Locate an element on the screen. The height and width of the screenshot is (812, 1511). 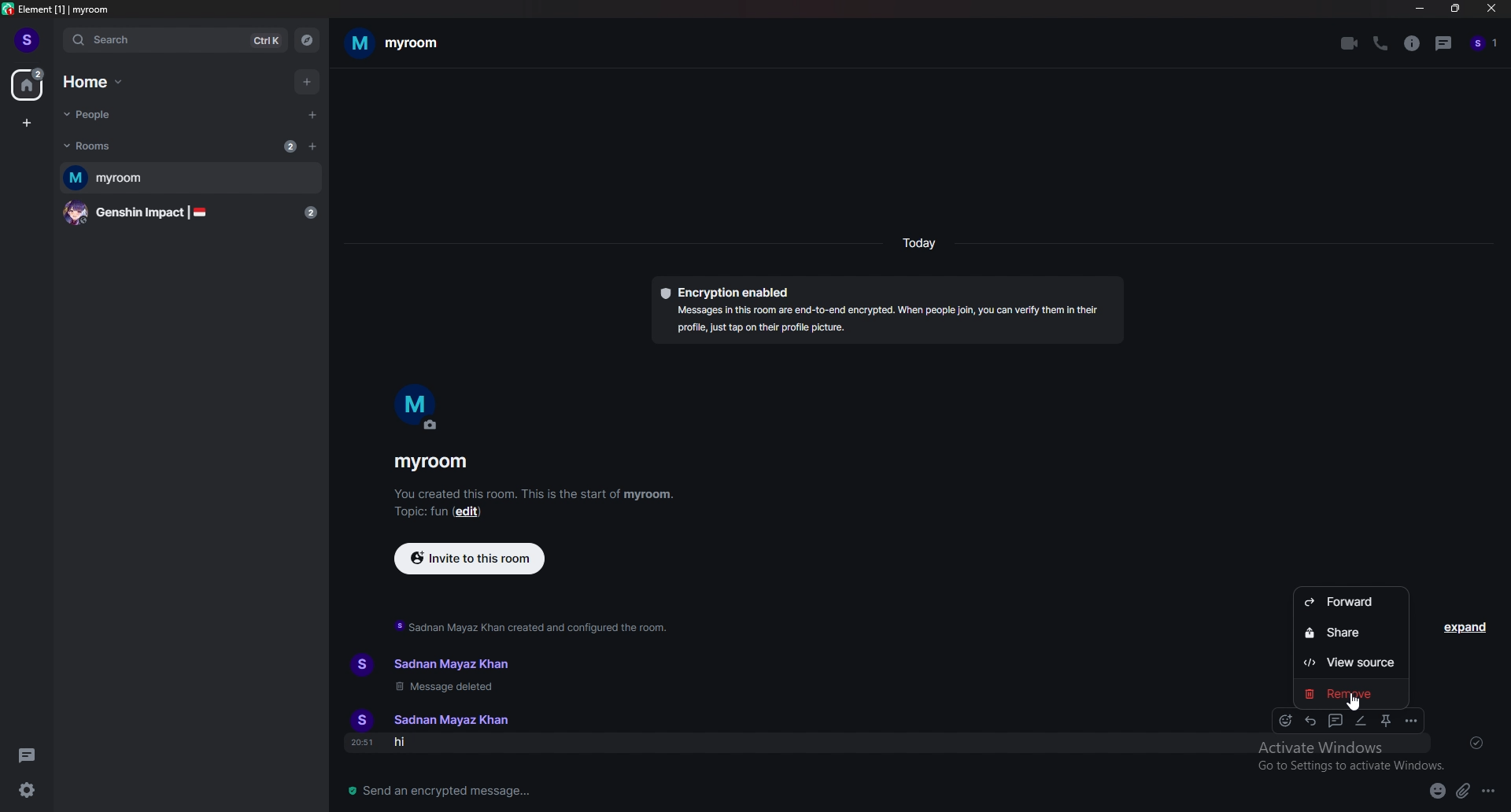
react is located at coordinates (1287, 721).